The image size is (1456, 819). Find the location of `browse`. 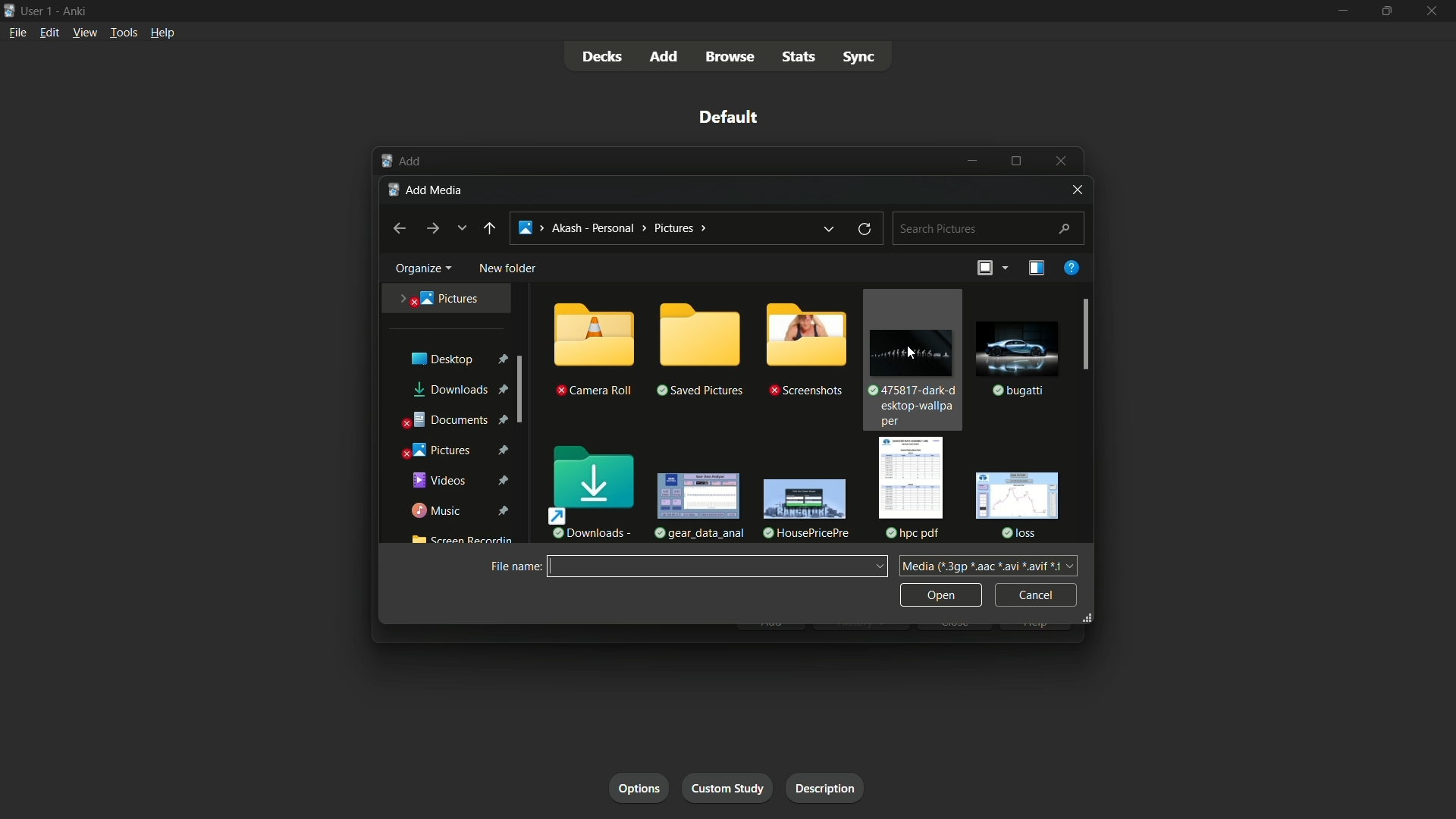

browse is located at coordinates (729, 58).